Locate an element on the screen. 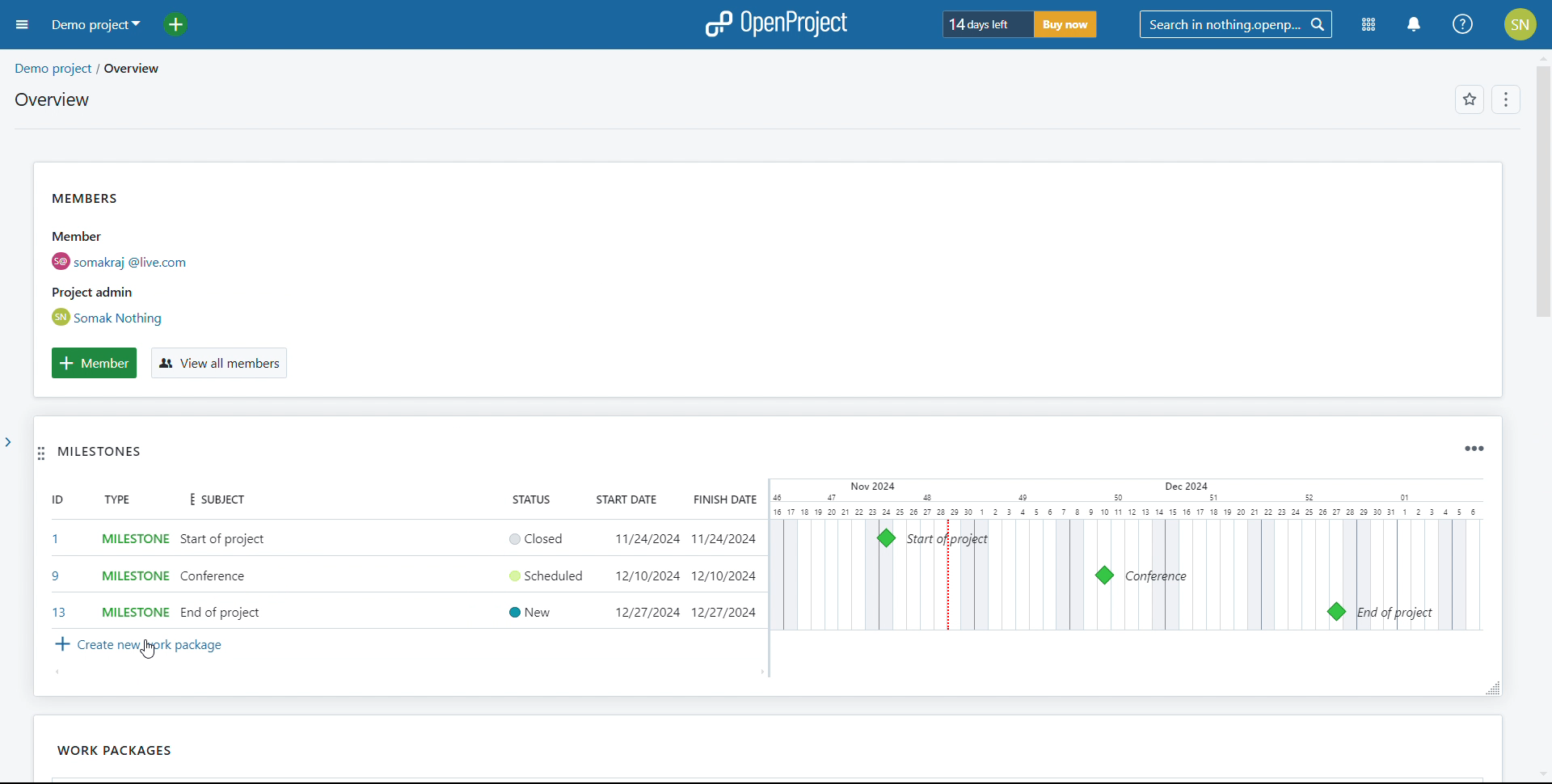  id is located at coordinates (58, 558).